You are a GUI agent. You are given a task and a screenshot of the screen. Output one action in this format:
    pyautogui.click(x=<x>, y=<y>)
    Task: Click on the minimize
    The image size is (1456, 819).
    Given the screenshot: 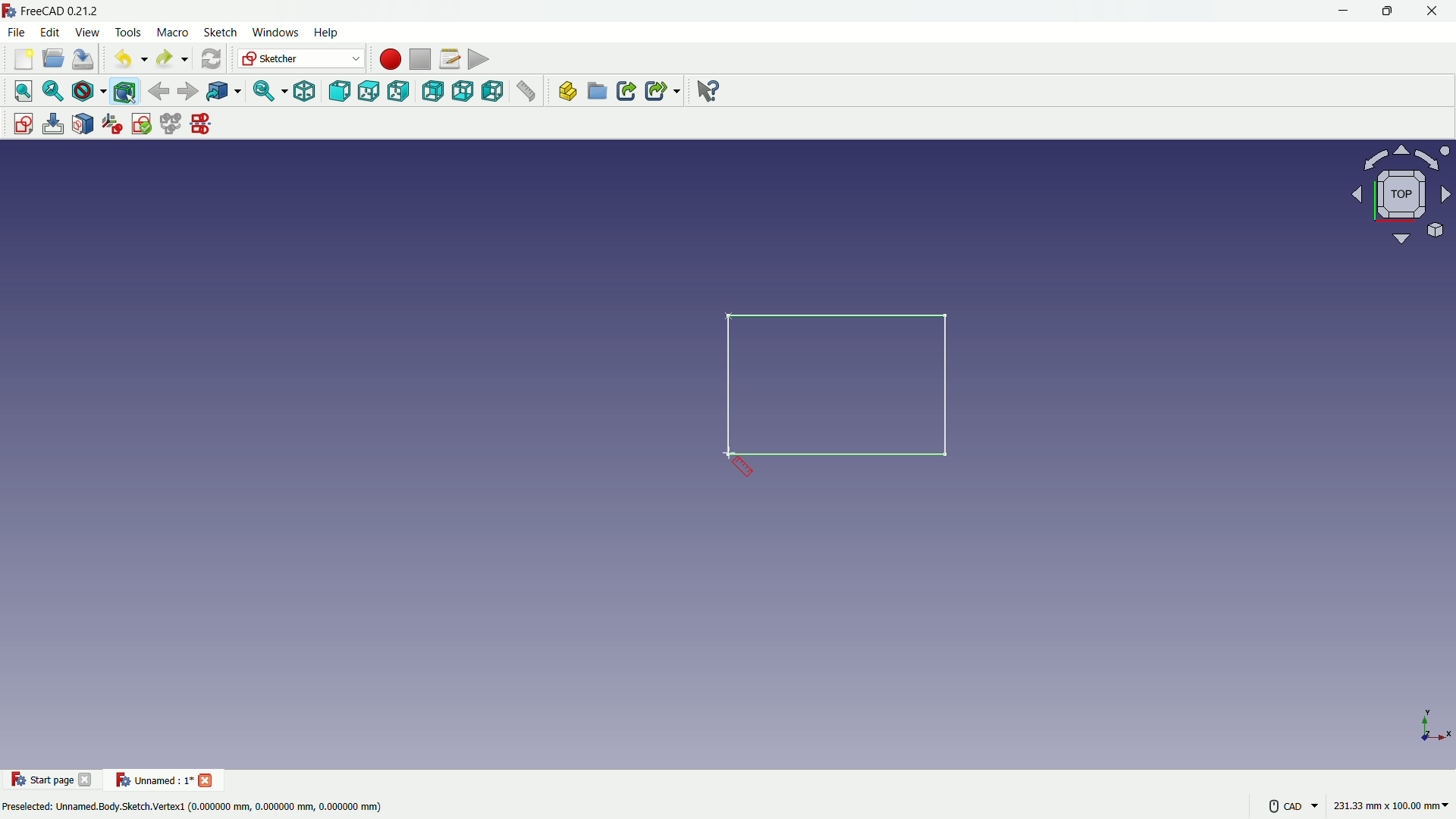 What is the action you would take?
    pyautogui.click(x=1341, y=11)
    